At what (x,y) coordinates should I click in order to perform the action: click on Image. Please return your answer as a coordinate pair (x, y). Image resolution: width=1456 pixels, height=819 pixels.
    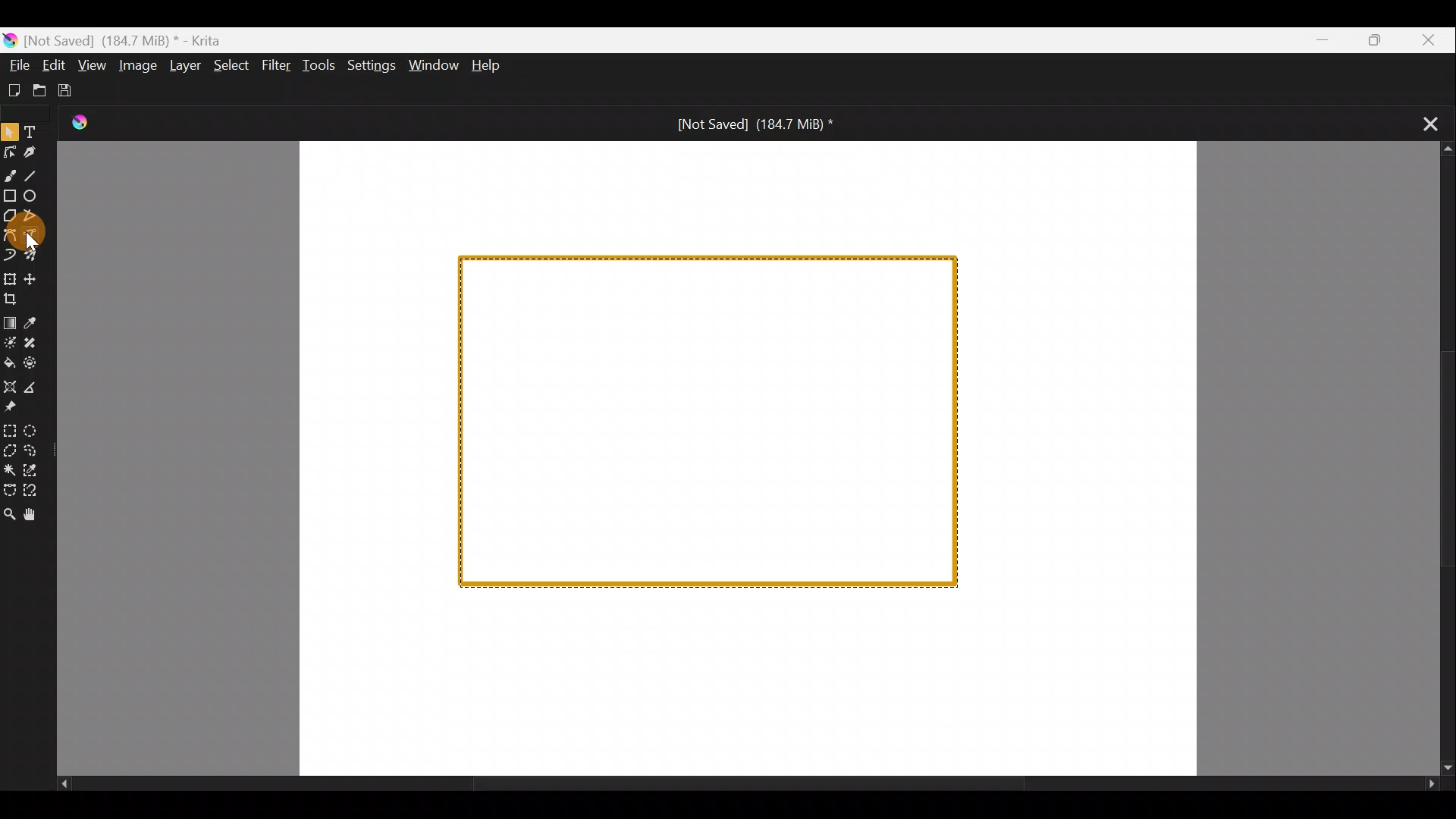
    Looking at the image, I should click on (142, 66).